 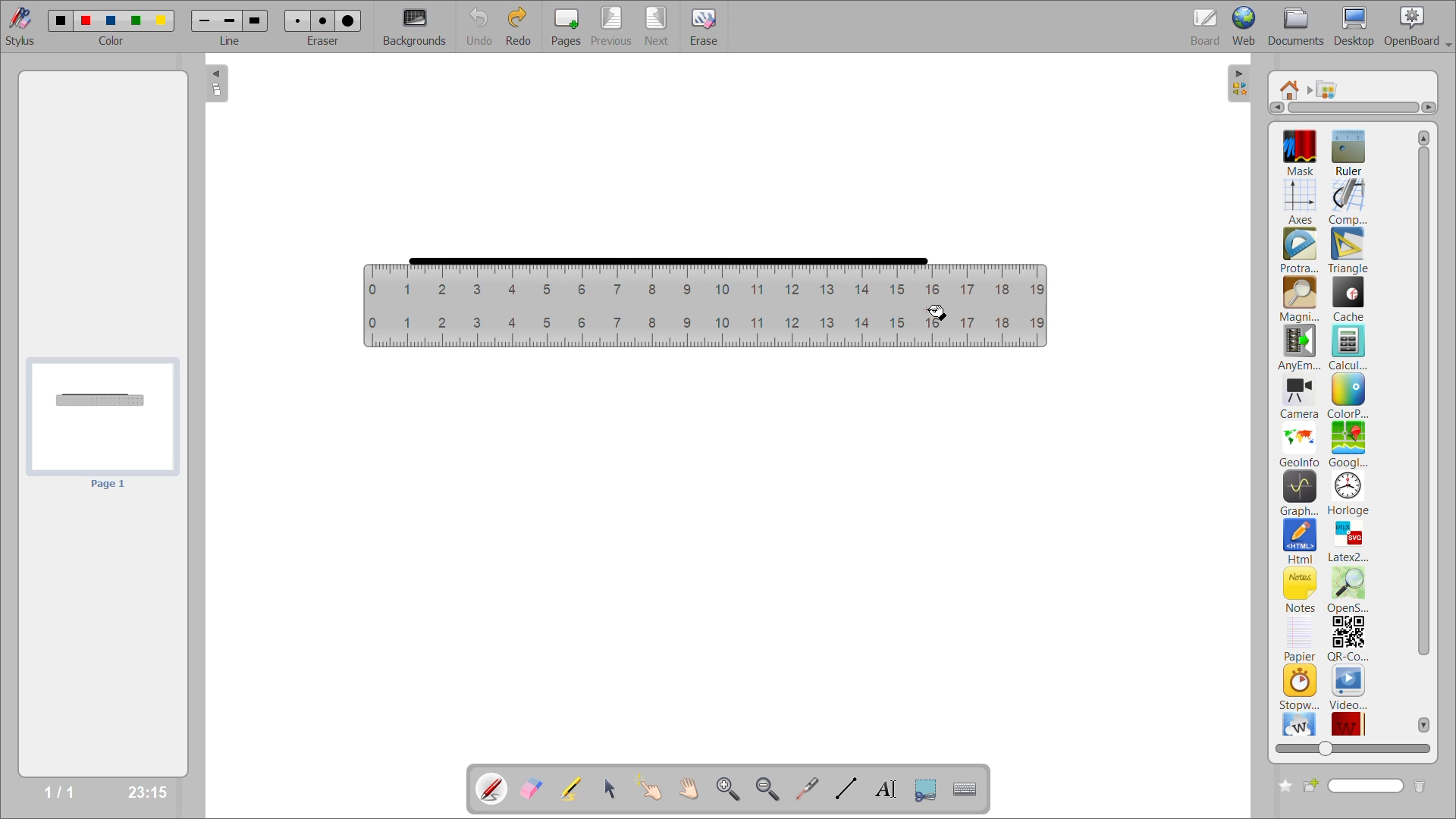 I want to click on eraser 1, so click(x=298, y=20).